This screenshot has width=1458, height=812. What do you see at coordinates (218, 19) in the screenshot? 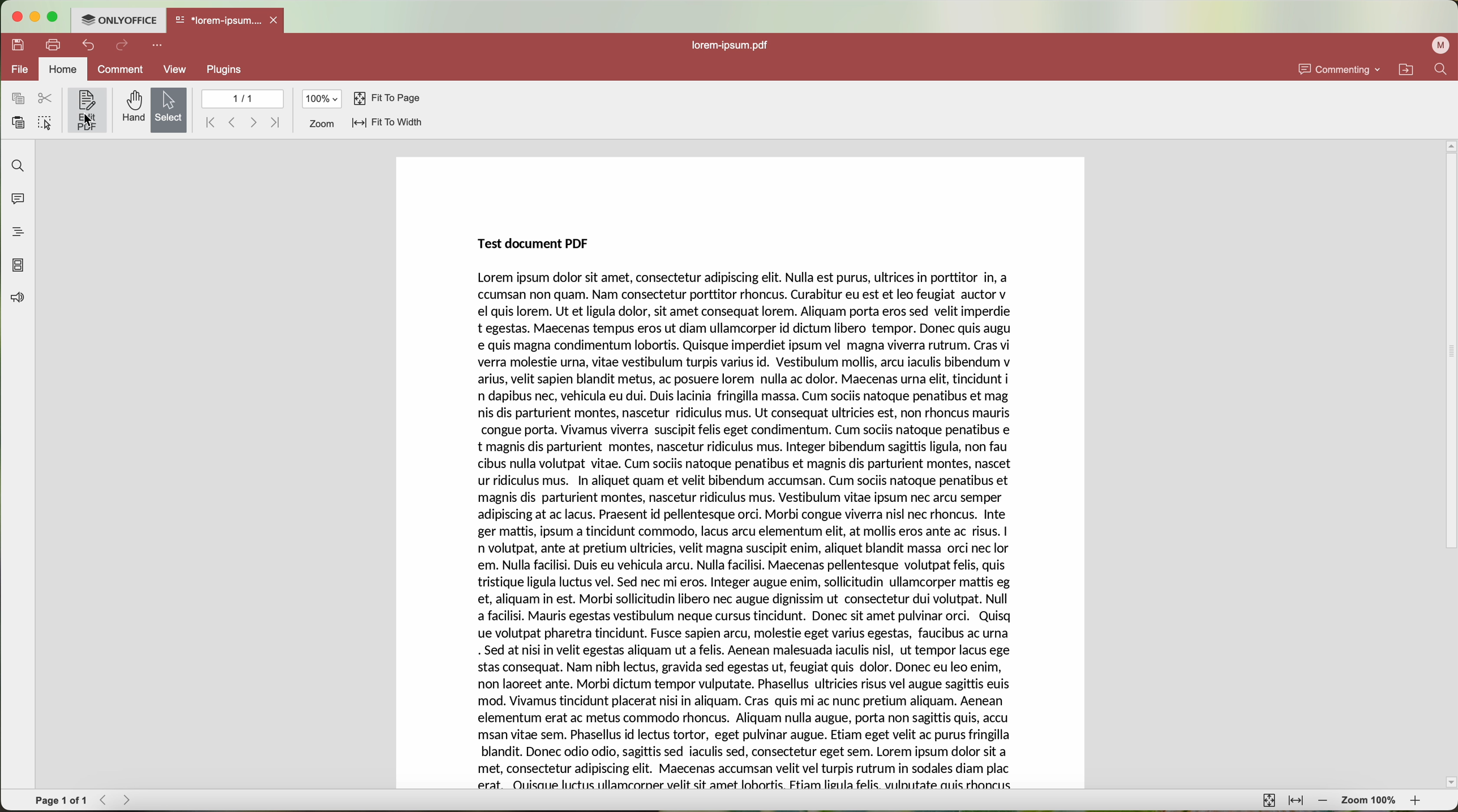
I see `*lorem-ipsum....` at bounding box center [218, 19].